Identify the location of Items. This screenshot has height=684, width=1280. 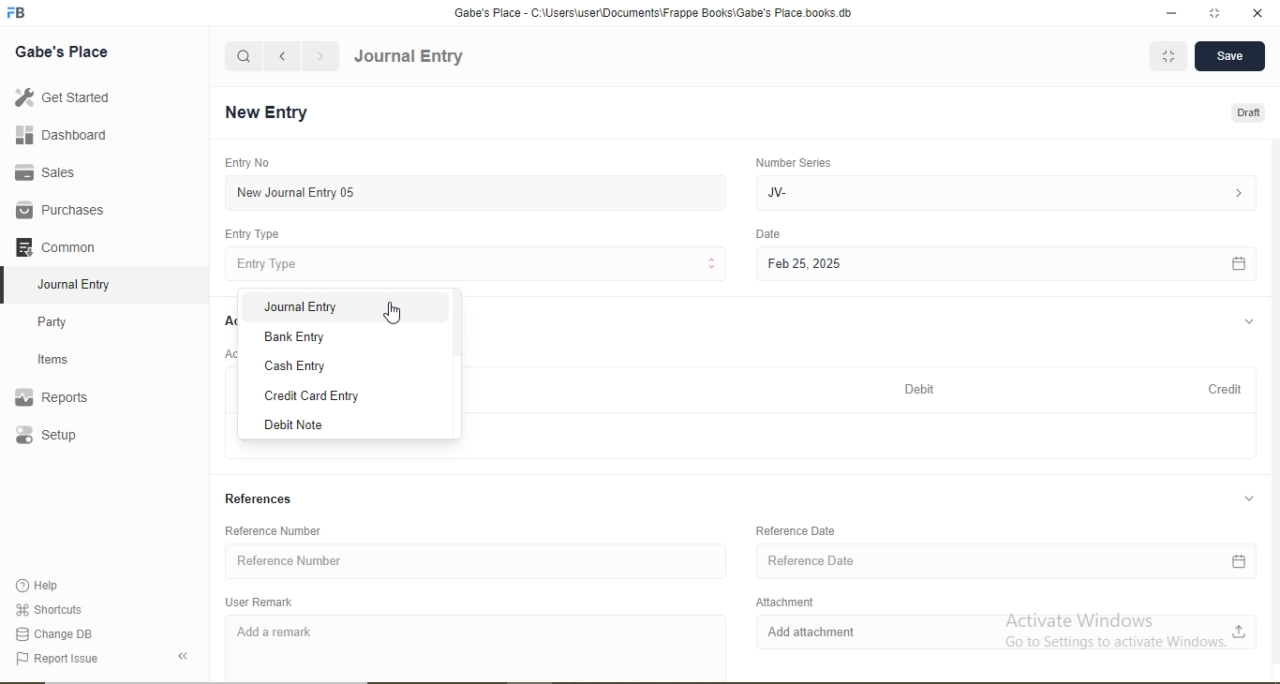
(65, 359).